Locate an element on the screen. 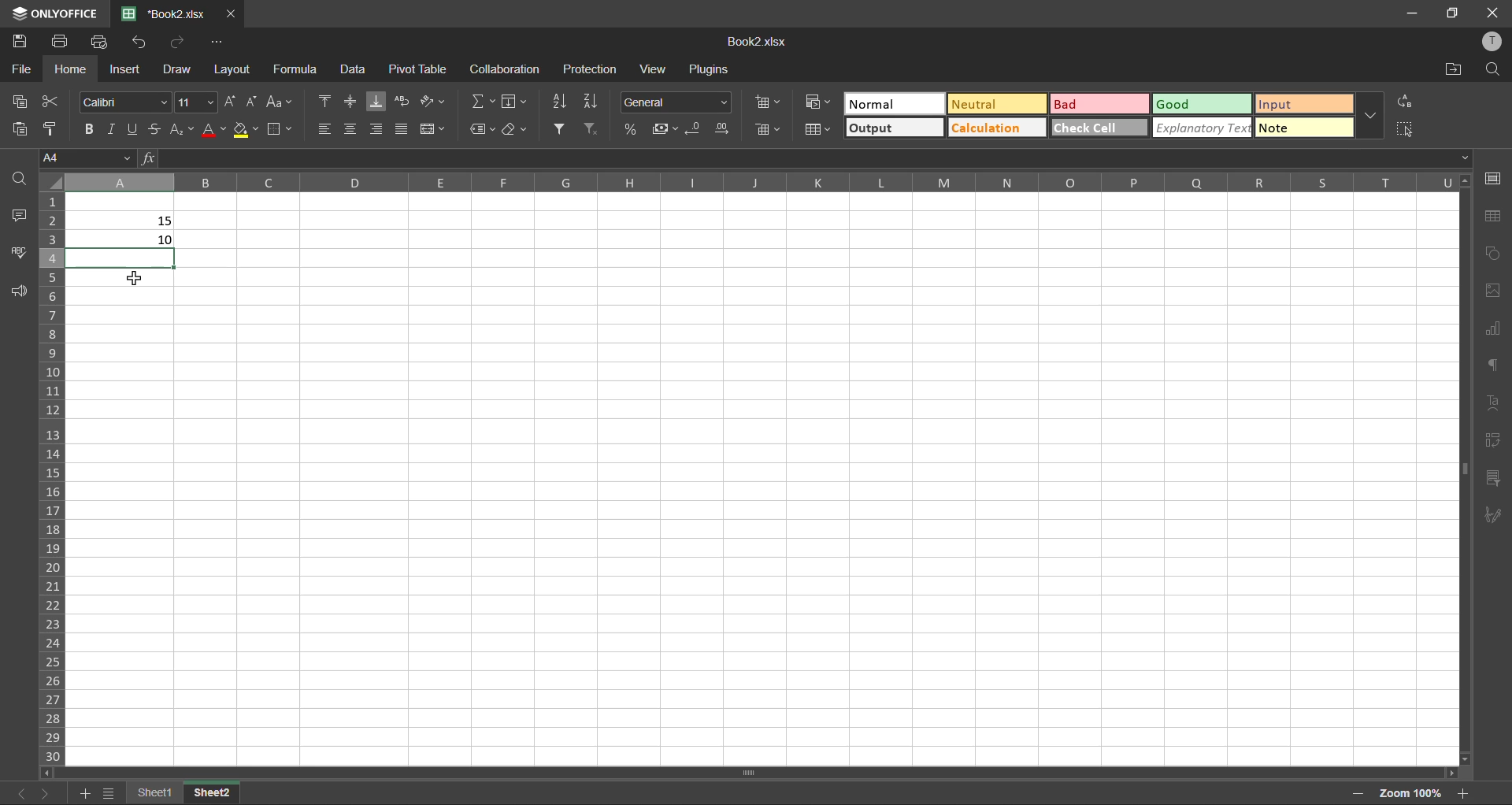 This screenshot has height=805, width=1512. replace is located at coordinates (1405, 101).